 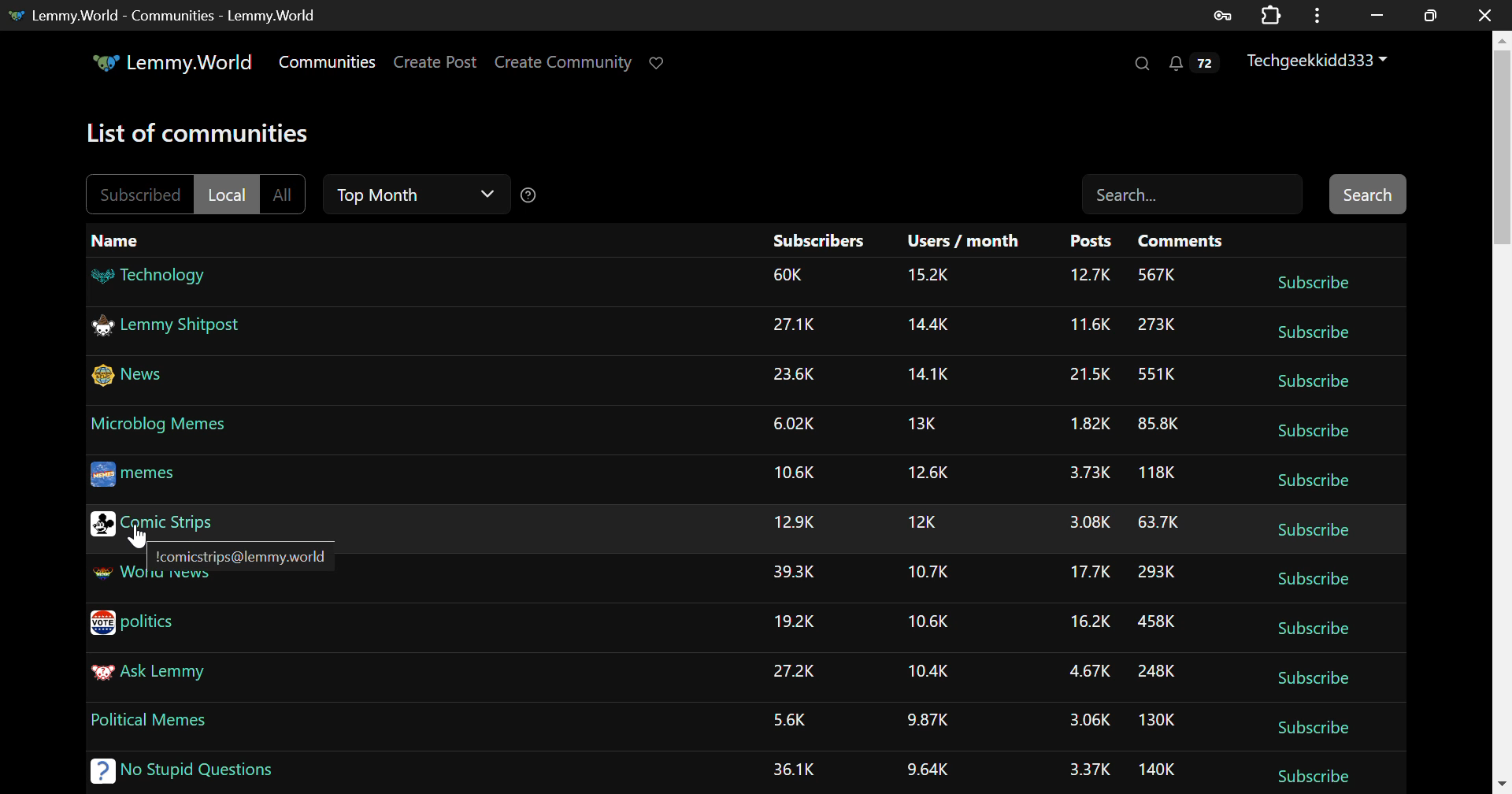 What do you see at coordinates (175, 679) in the screenshot?
I see `Ask Lemmy` at bounding box center [175, 679].